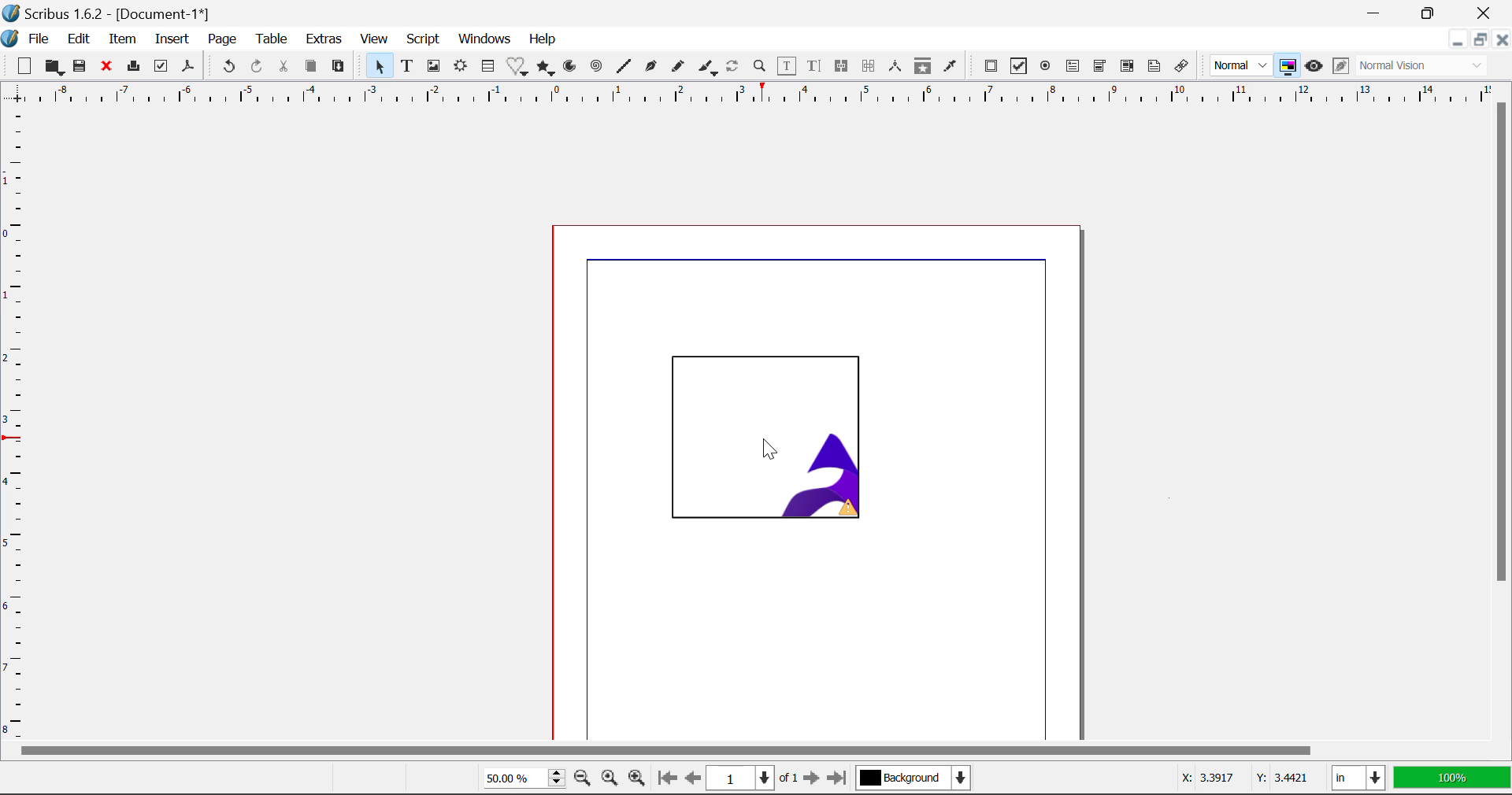  Describe the element at coordinates (486, 38) in the screenshot. I see `Windows` at that location.